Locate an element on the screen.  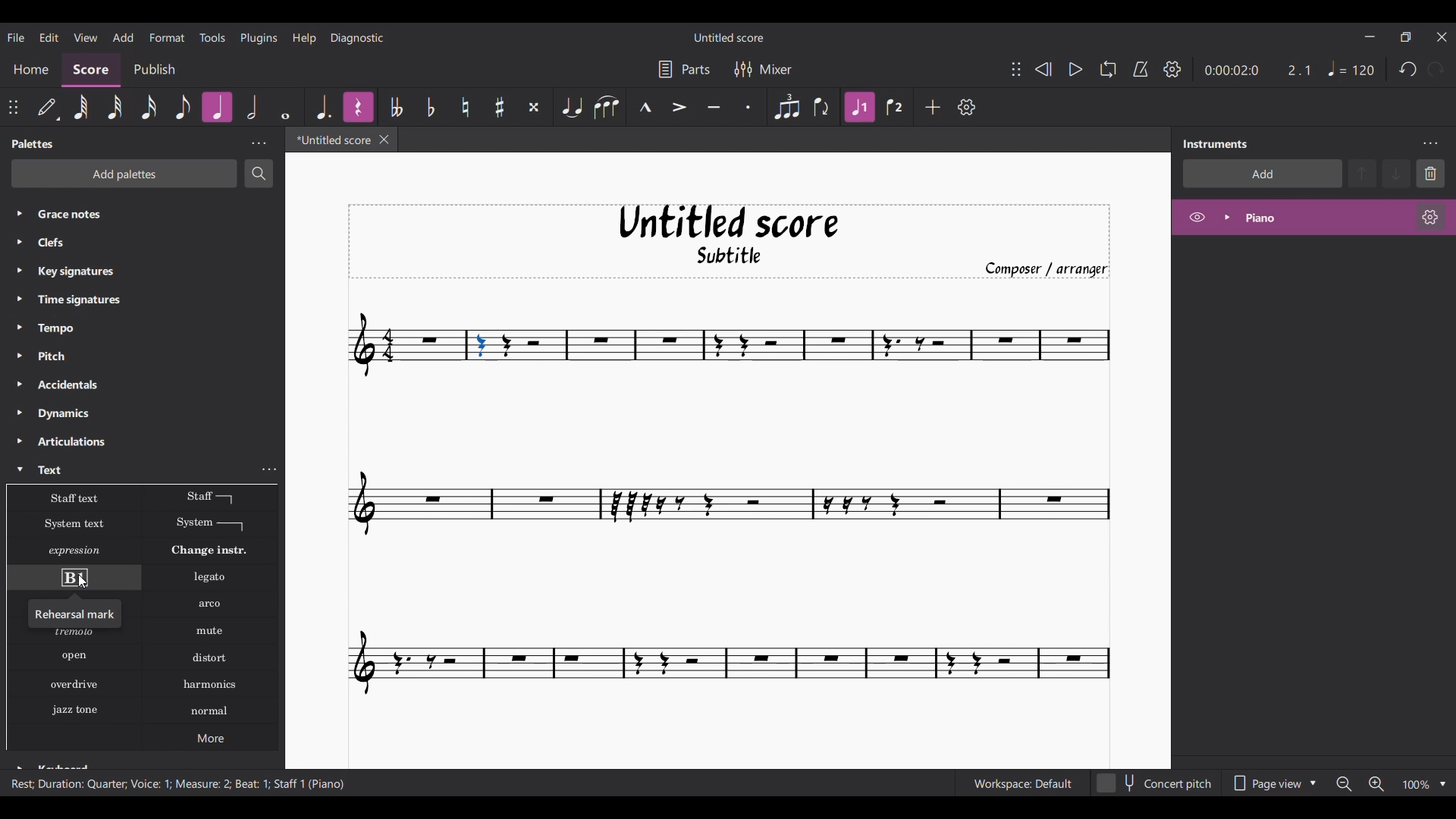
Mixer settings is located at coordinates (764, 70).